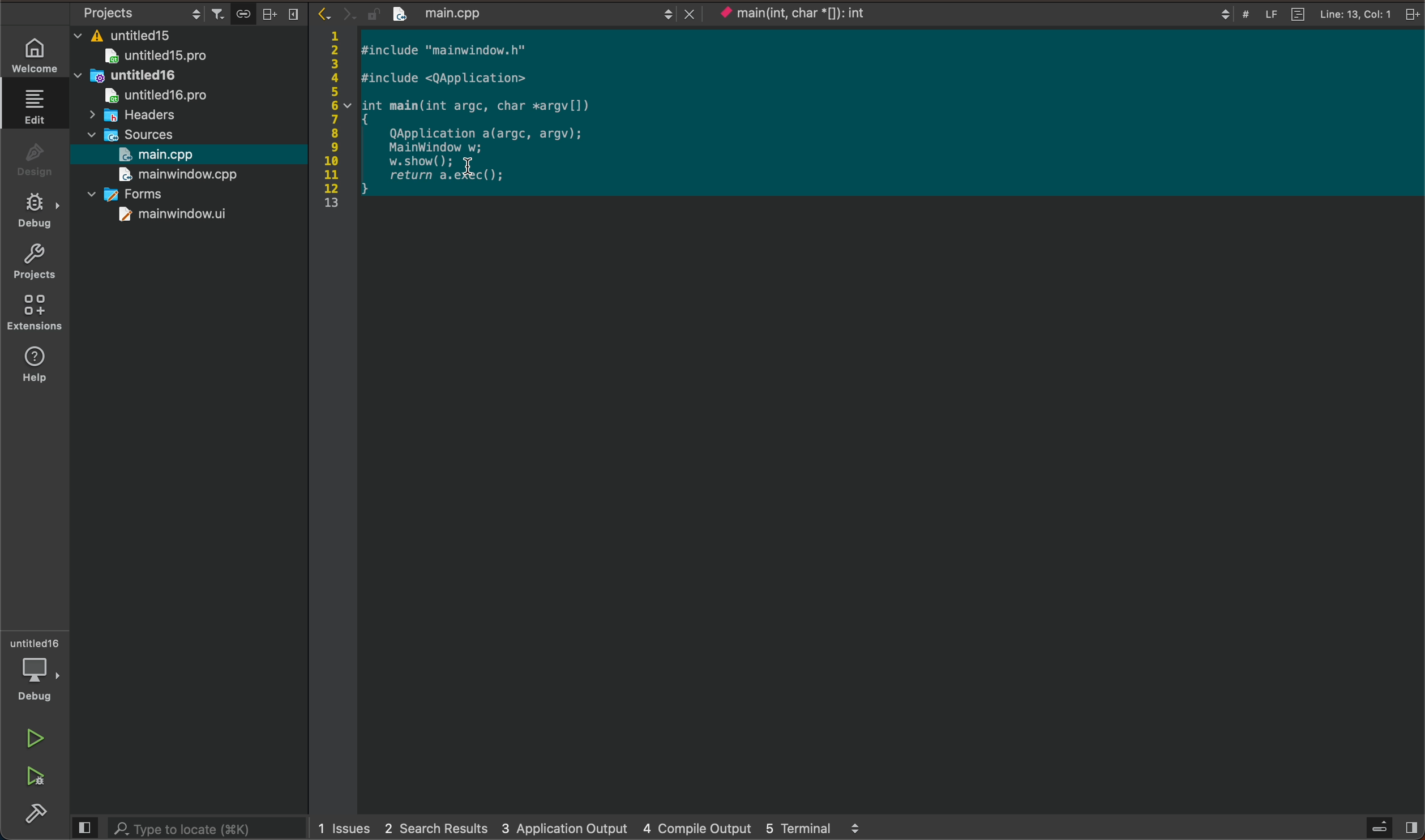  I want to click on design, so click(32, 160).